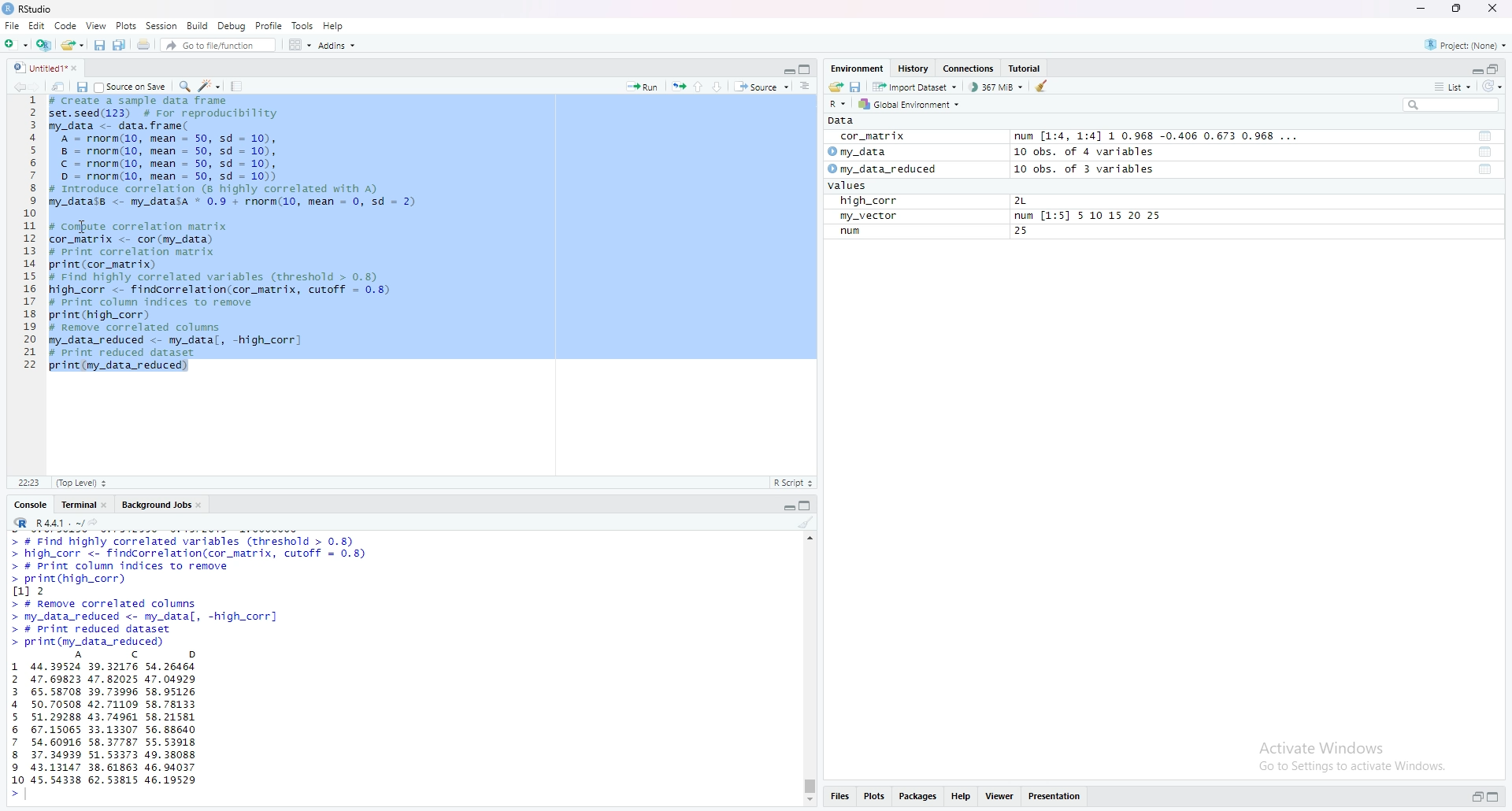 The image size is (1512, 811). I want to click on Copy , so click(120, 45).